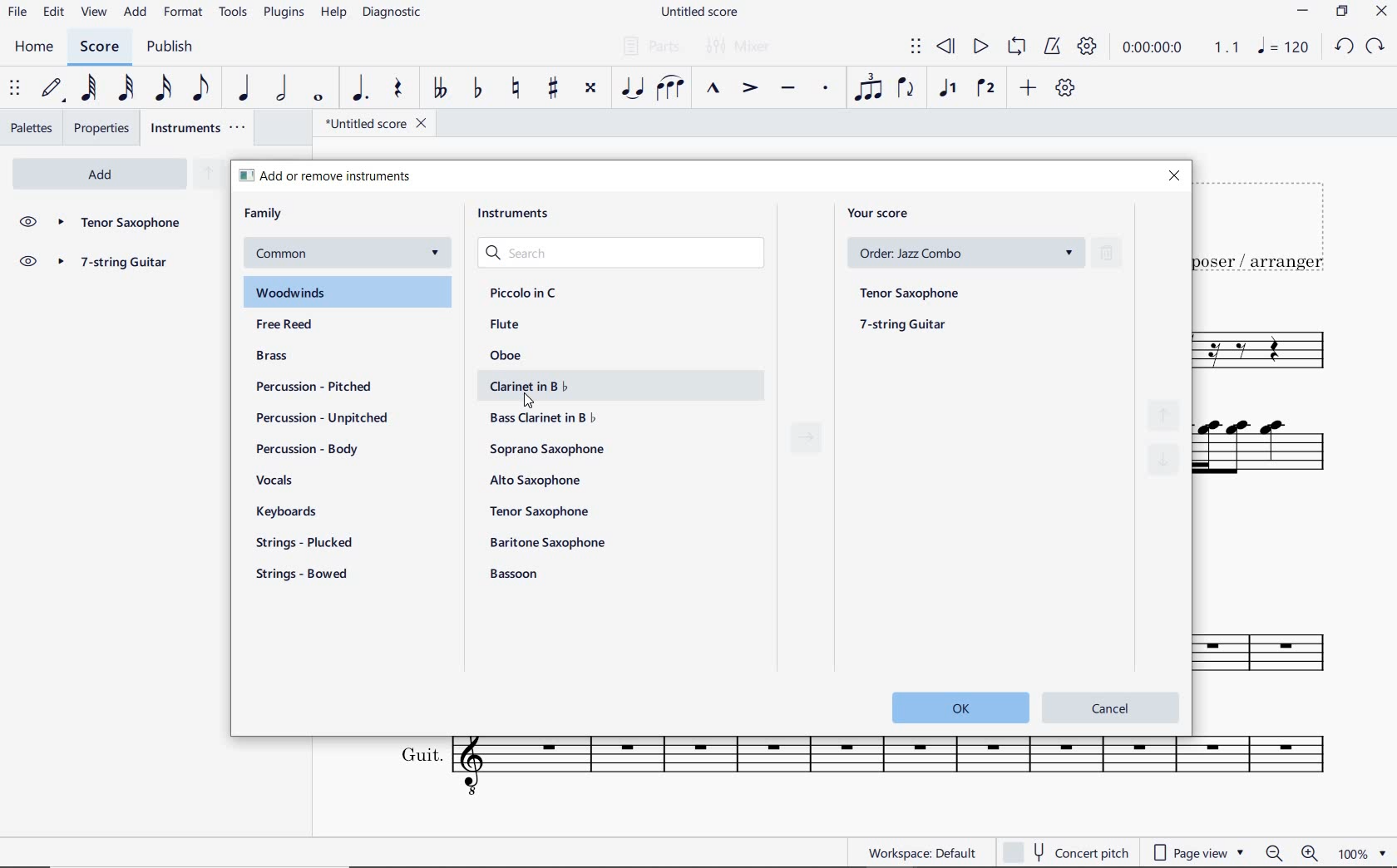 This screenshot has width=1397, height=868. What do you see at coordinates (1268, 225) in the screenshot?
I see `TITLE` at bounding box center [1268, 225].